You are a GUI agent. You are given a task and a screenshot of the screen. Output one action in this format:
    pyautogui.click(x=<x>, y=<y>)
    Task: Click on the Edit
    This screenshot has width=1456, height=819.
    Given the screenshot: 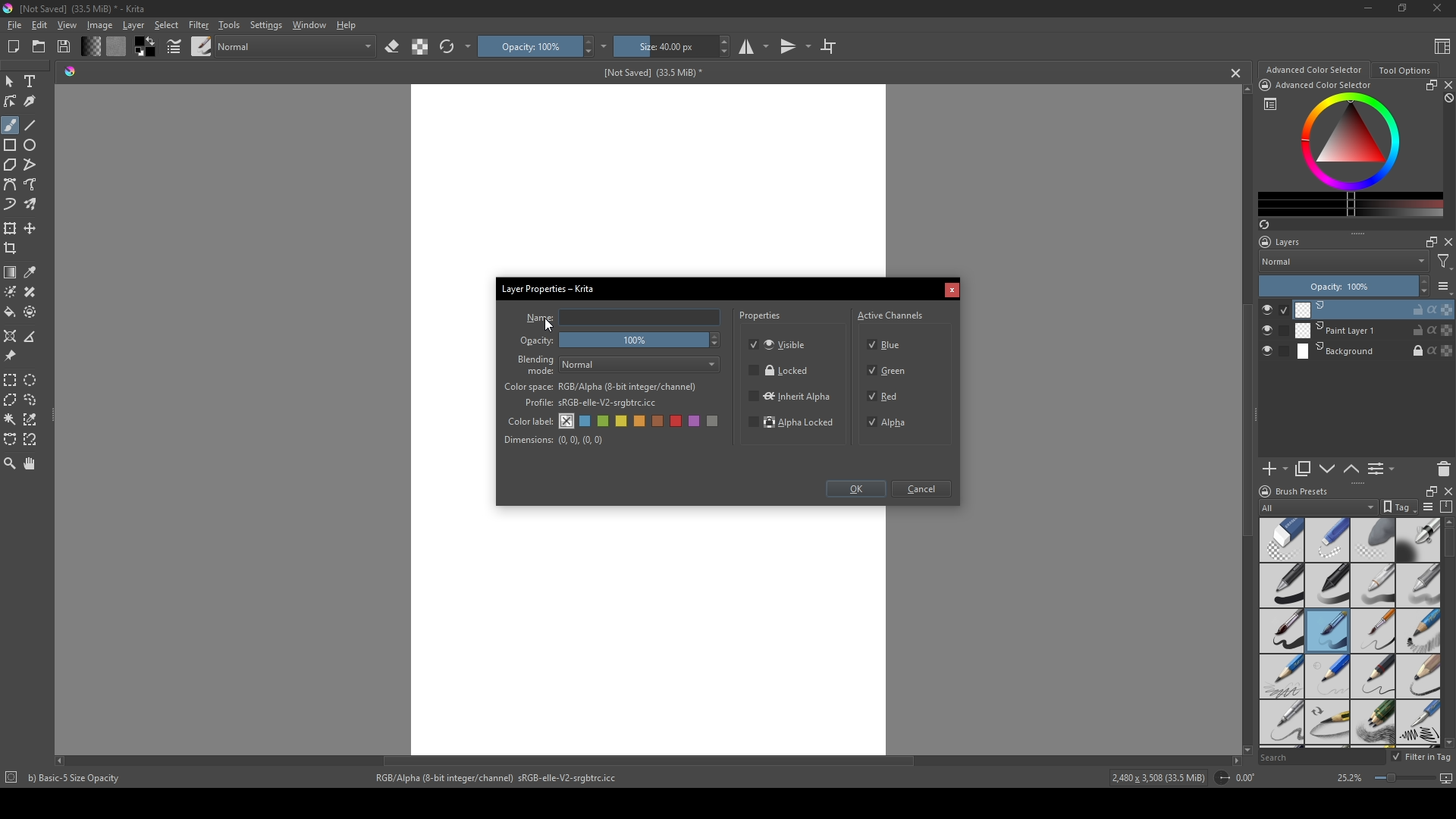 What is the action you would take?
    pyautogui.click(x=39, y=25)
    